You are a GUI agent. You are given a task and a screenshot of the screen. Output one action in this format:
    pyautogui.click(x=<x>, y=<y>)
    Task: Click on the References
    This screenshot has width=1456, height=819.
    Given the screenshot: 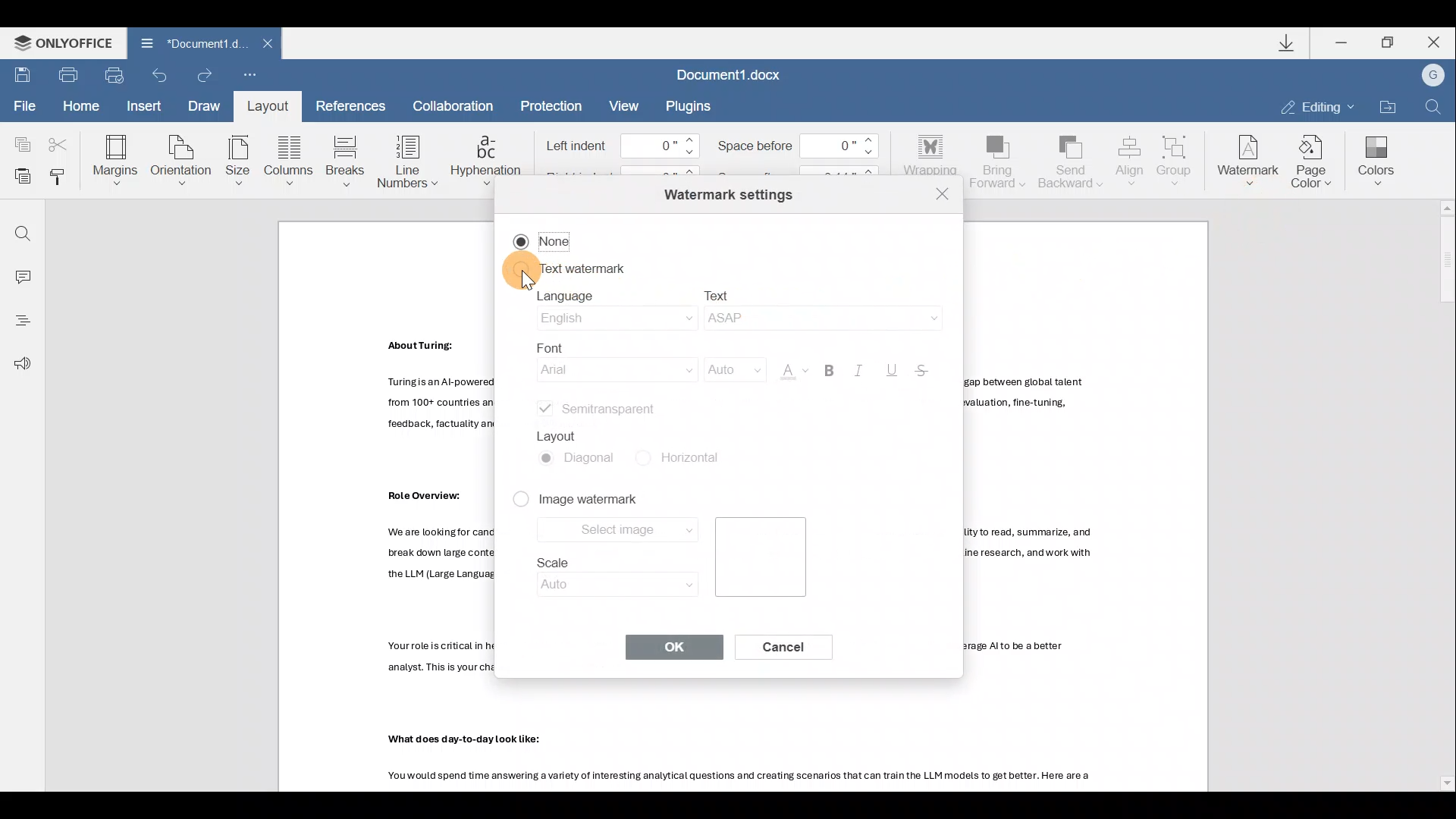 What is the action you would take?
    pyautogui.click(x=349, y=105)
    